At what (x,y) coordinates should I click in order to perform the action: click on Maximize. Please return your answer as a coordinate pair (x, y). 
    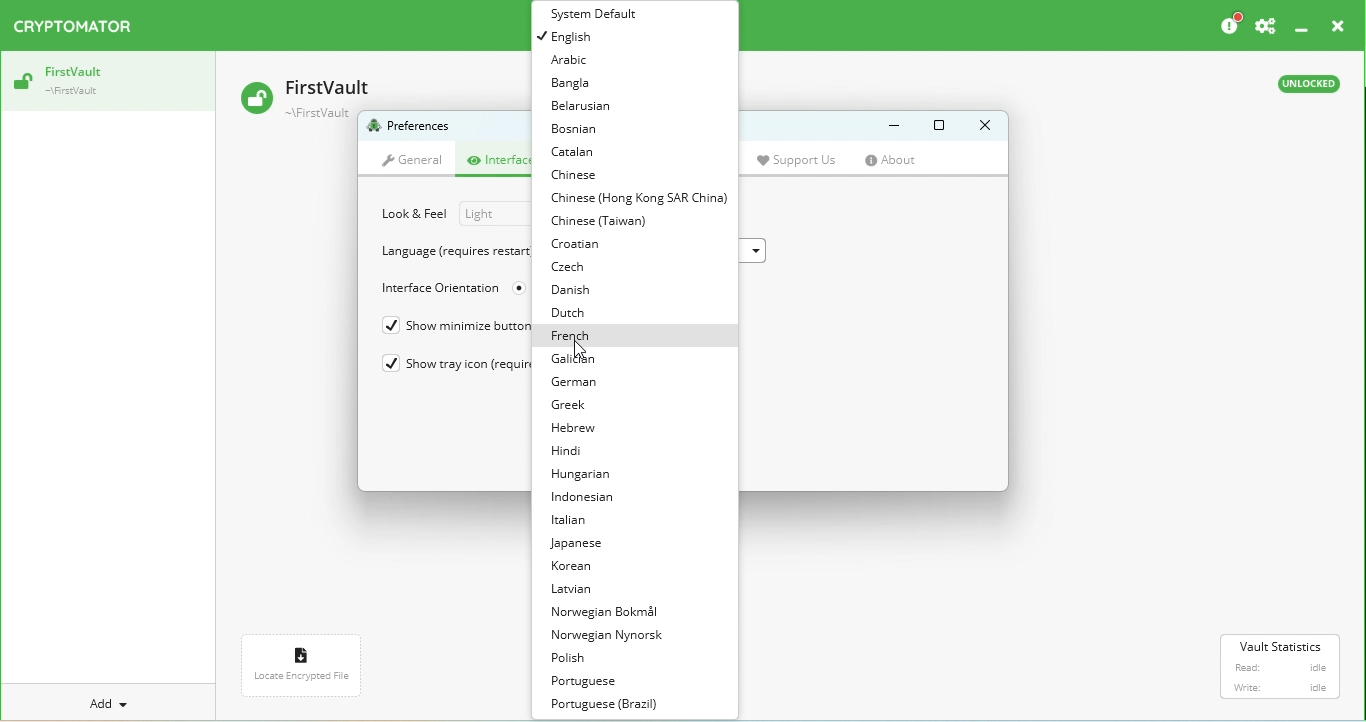
    Looking at the image, I should click on (939, 126).